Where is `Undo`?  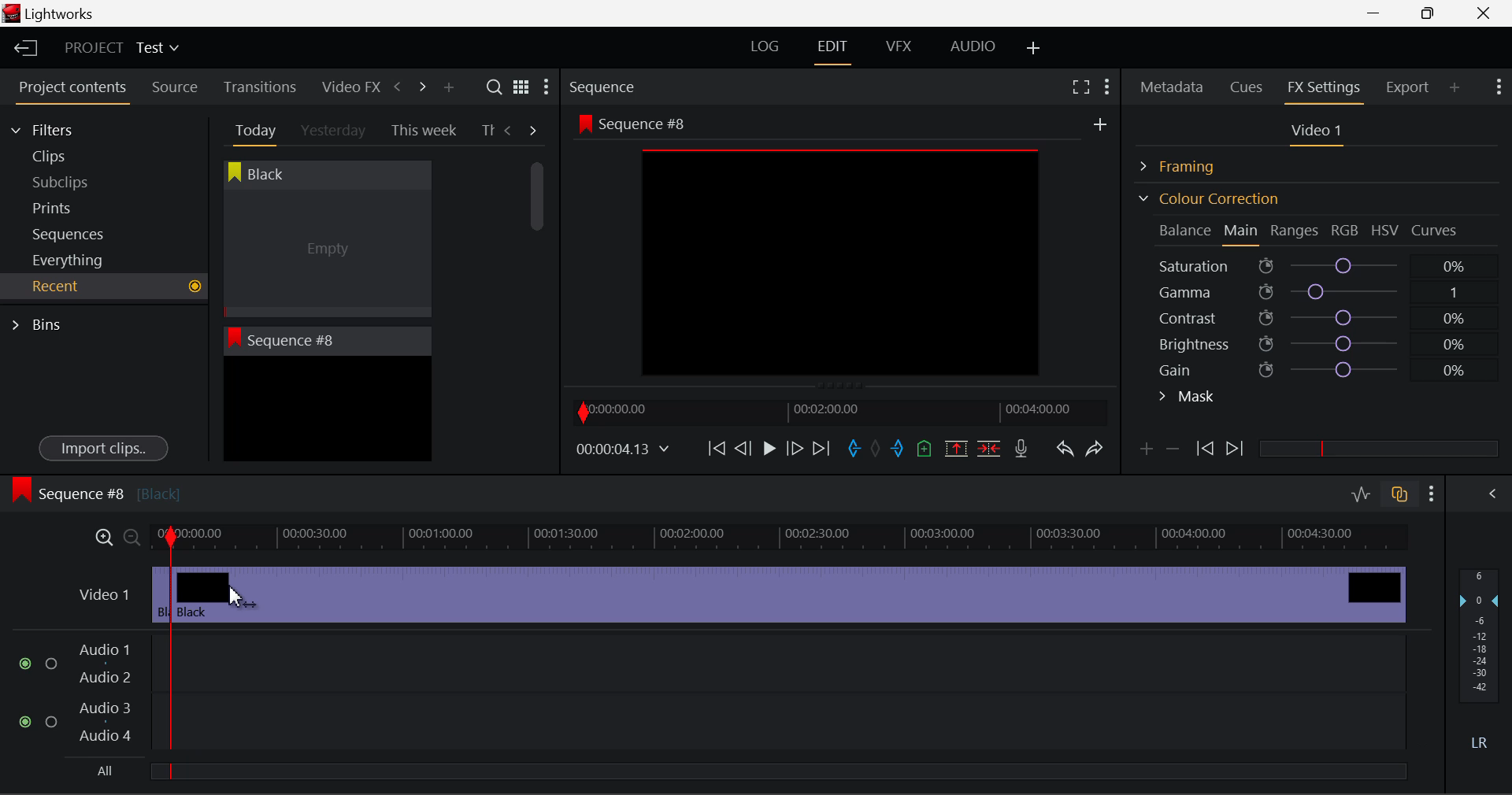
Undo is located at coordinates (1064, 452).